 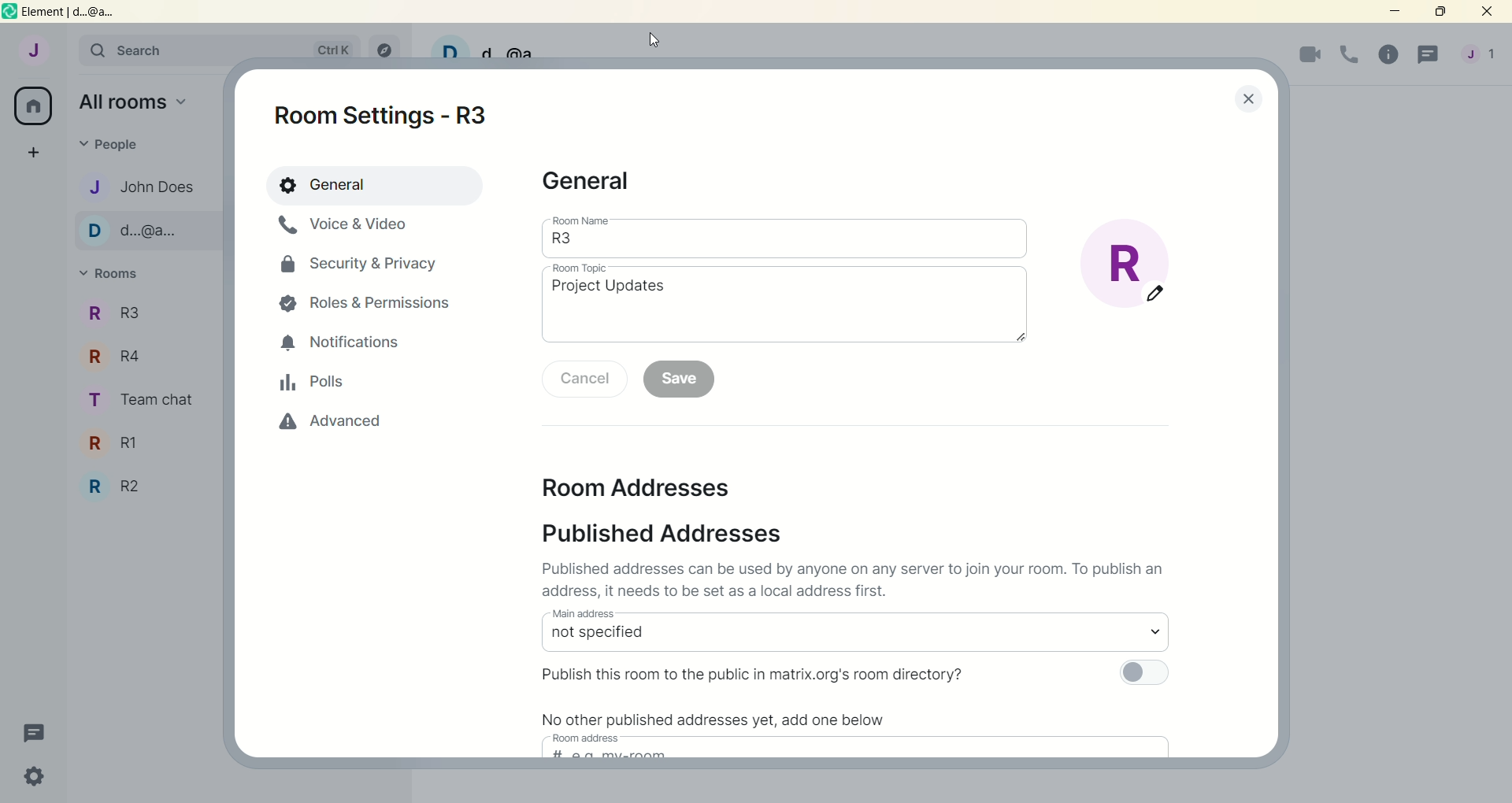 What do you see at coordinates (581, 614) in the screenshot?
I see `main address` at bounding box center [581, 614].